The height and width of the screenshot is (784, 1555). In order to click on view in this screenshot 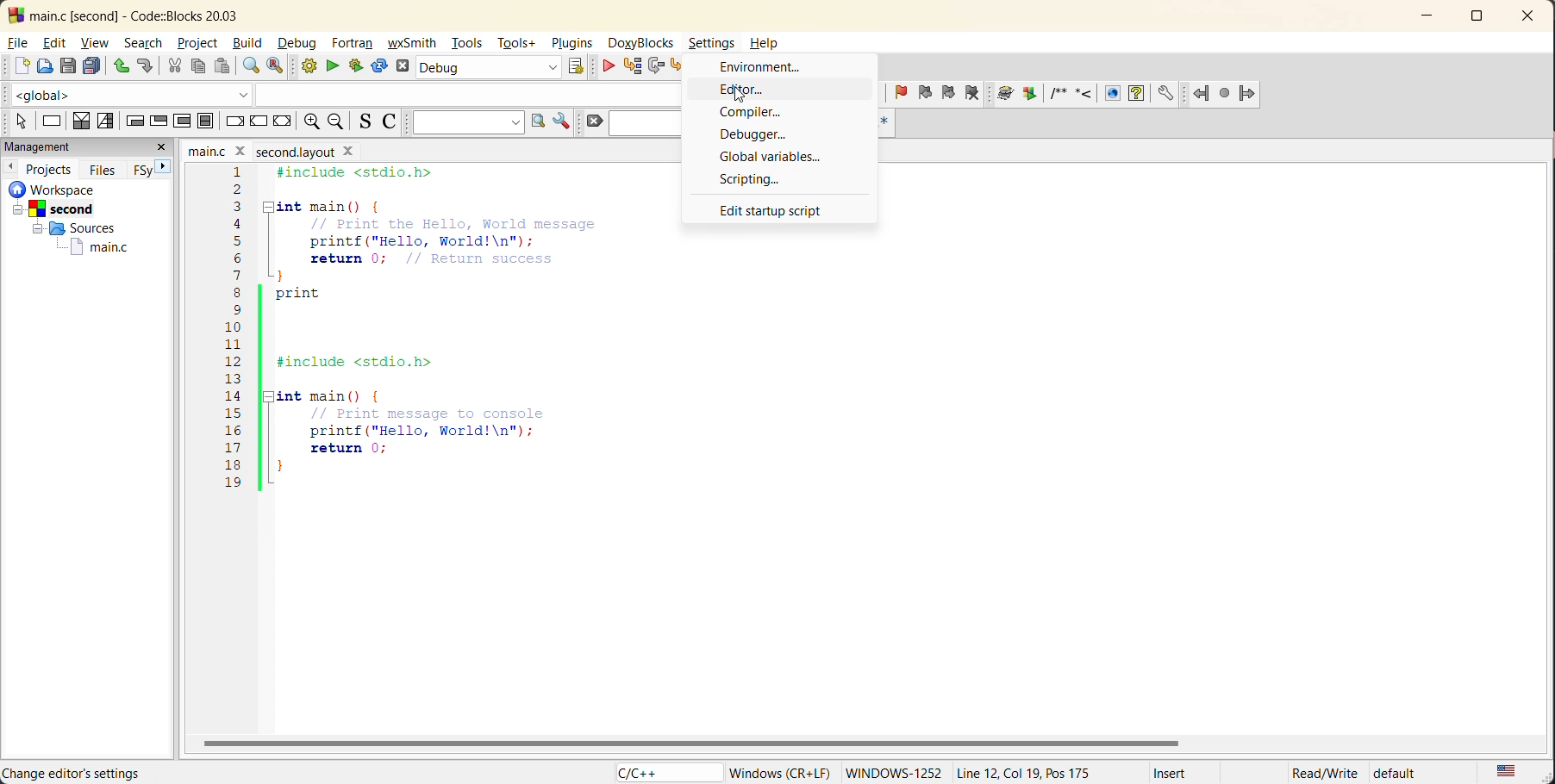, I will do `click(97, 42)`.